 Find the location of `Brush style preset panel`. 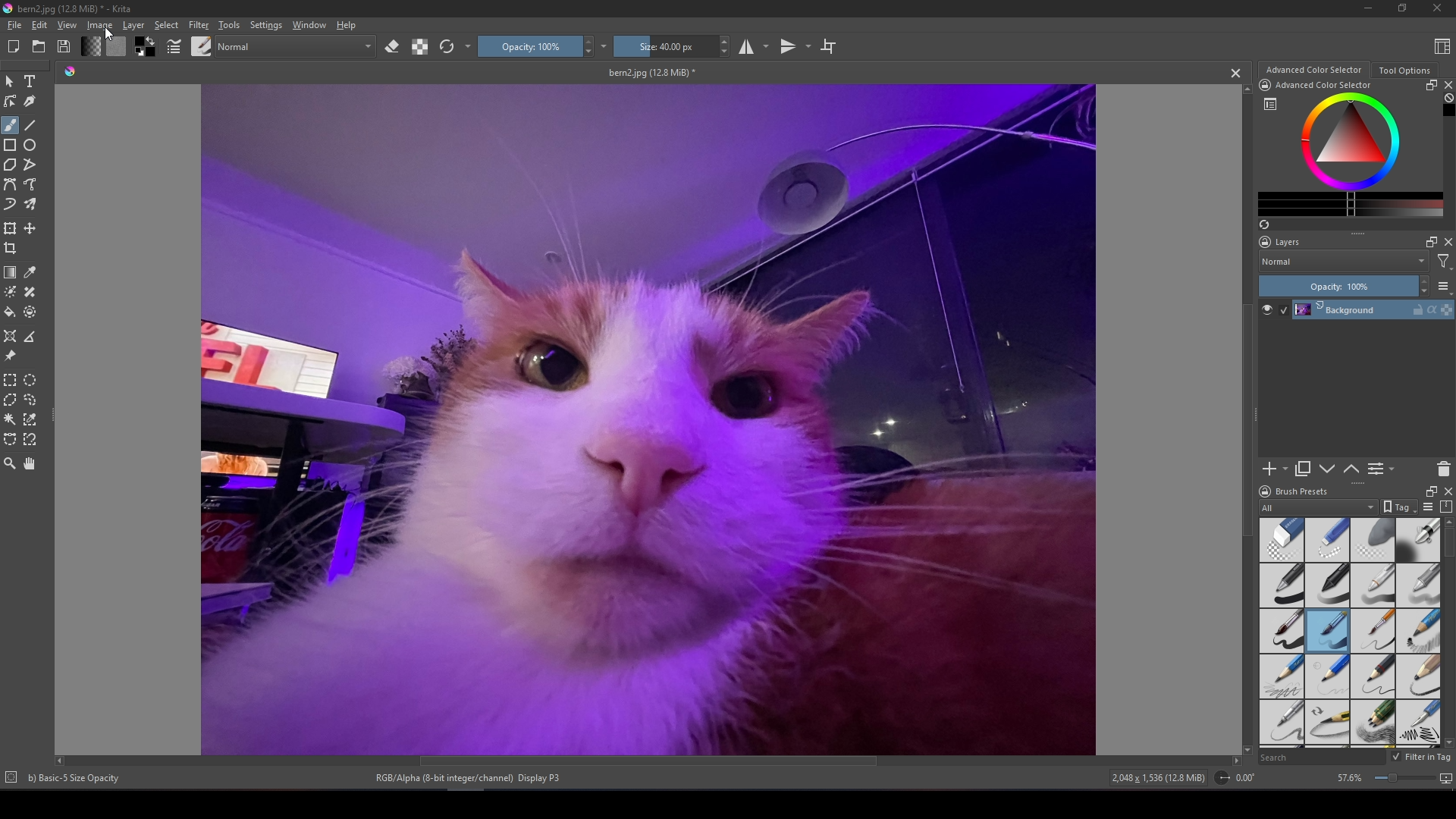

Brush style preset panel is located at coordinates (1351, 633).